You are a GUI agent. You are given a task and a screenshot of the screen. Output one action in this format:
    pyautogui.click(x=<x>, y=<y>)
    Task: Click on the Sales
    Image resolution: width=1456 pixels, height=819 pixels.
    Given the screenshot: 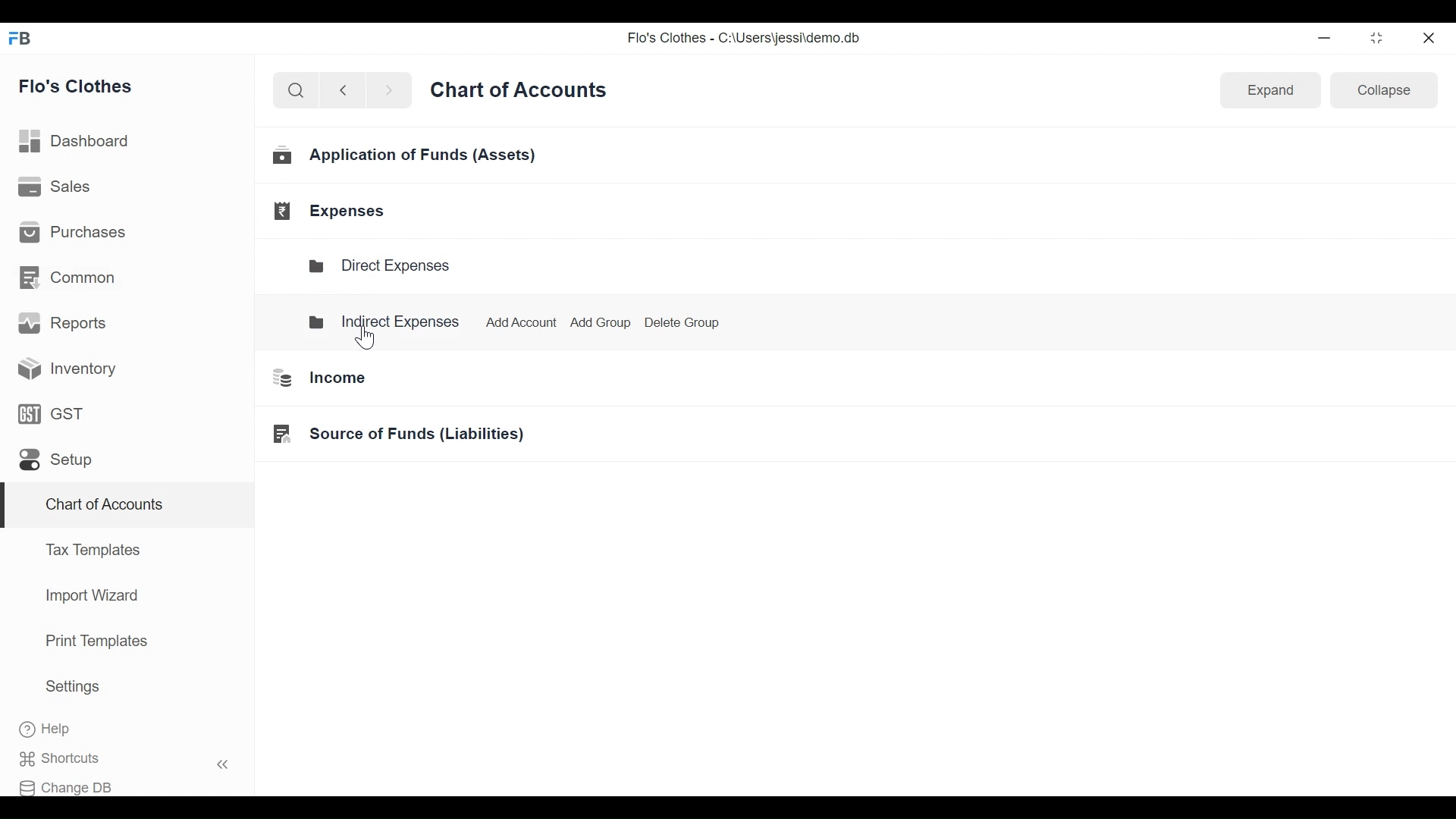 What is the action you would take?
    pyautogui.click(x=56, y=188)
    